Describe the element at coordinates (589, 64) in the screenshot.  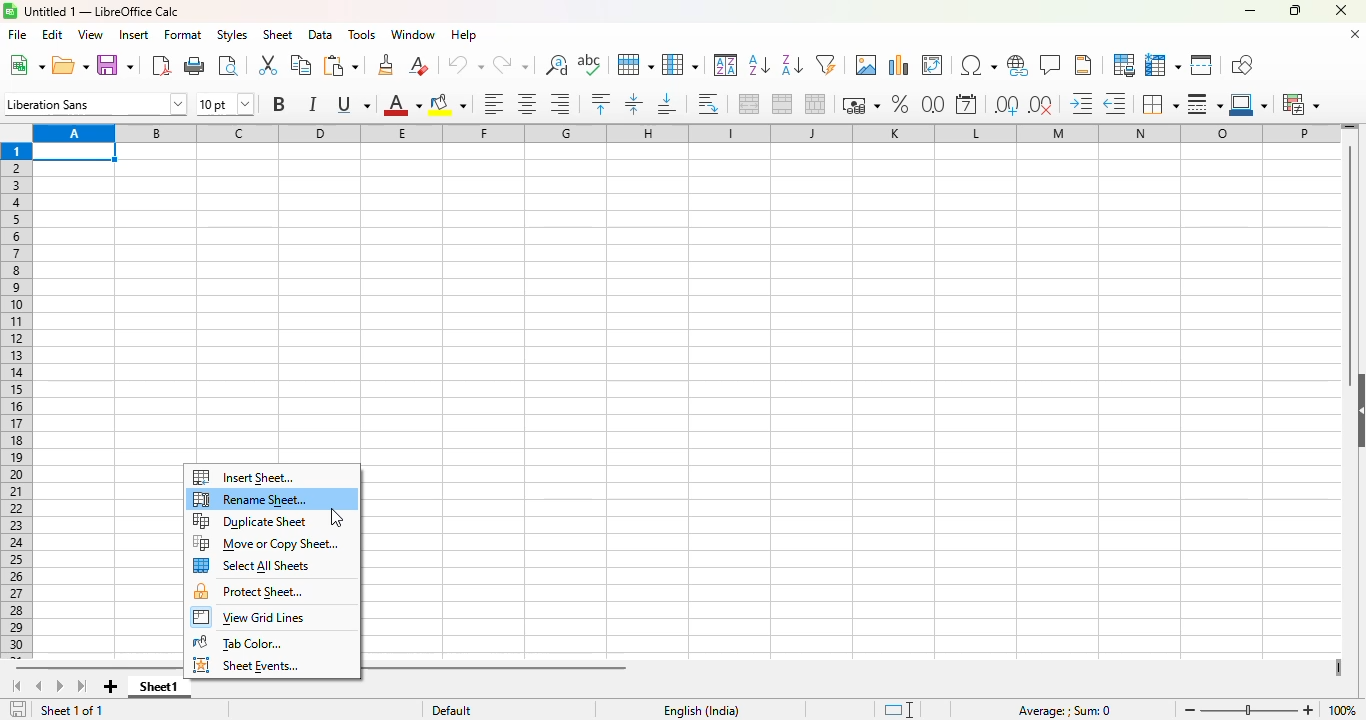
I see `spelling` at that location.